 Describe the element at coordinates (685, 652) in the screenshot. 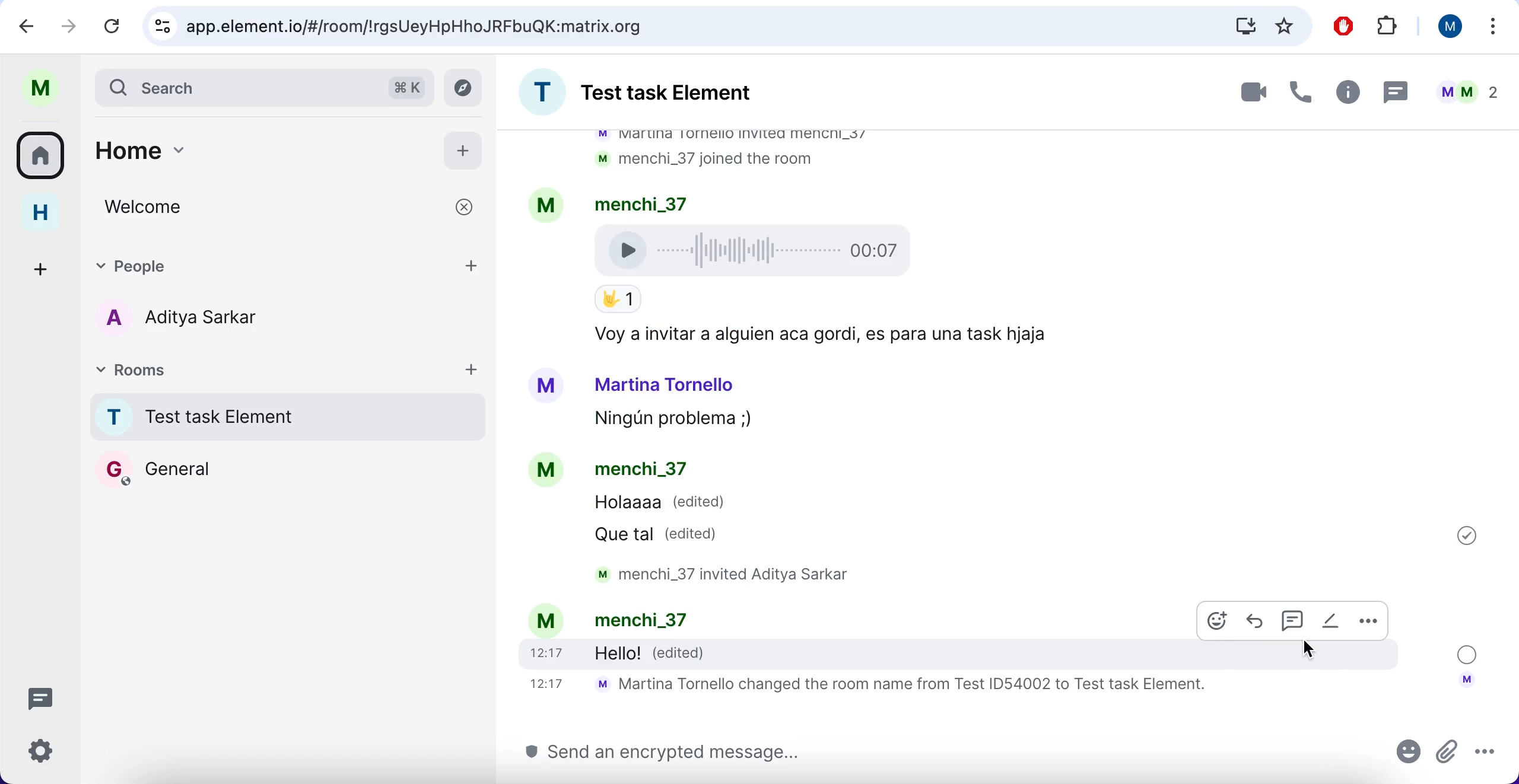

I see `edited message` at that location.